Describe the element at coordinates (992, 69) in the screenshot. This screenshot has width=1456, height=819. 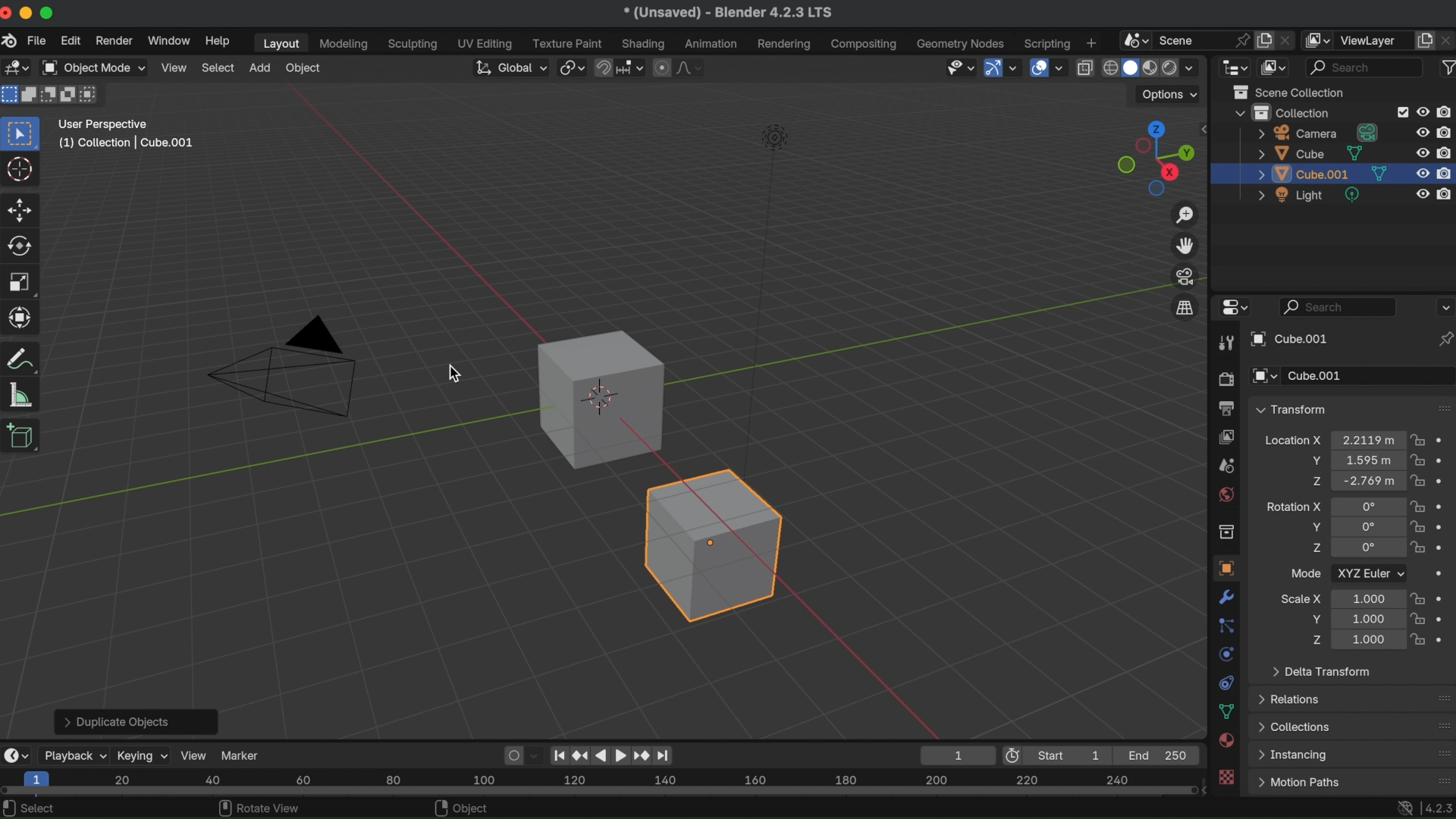
I see `show gizmo` at that location.